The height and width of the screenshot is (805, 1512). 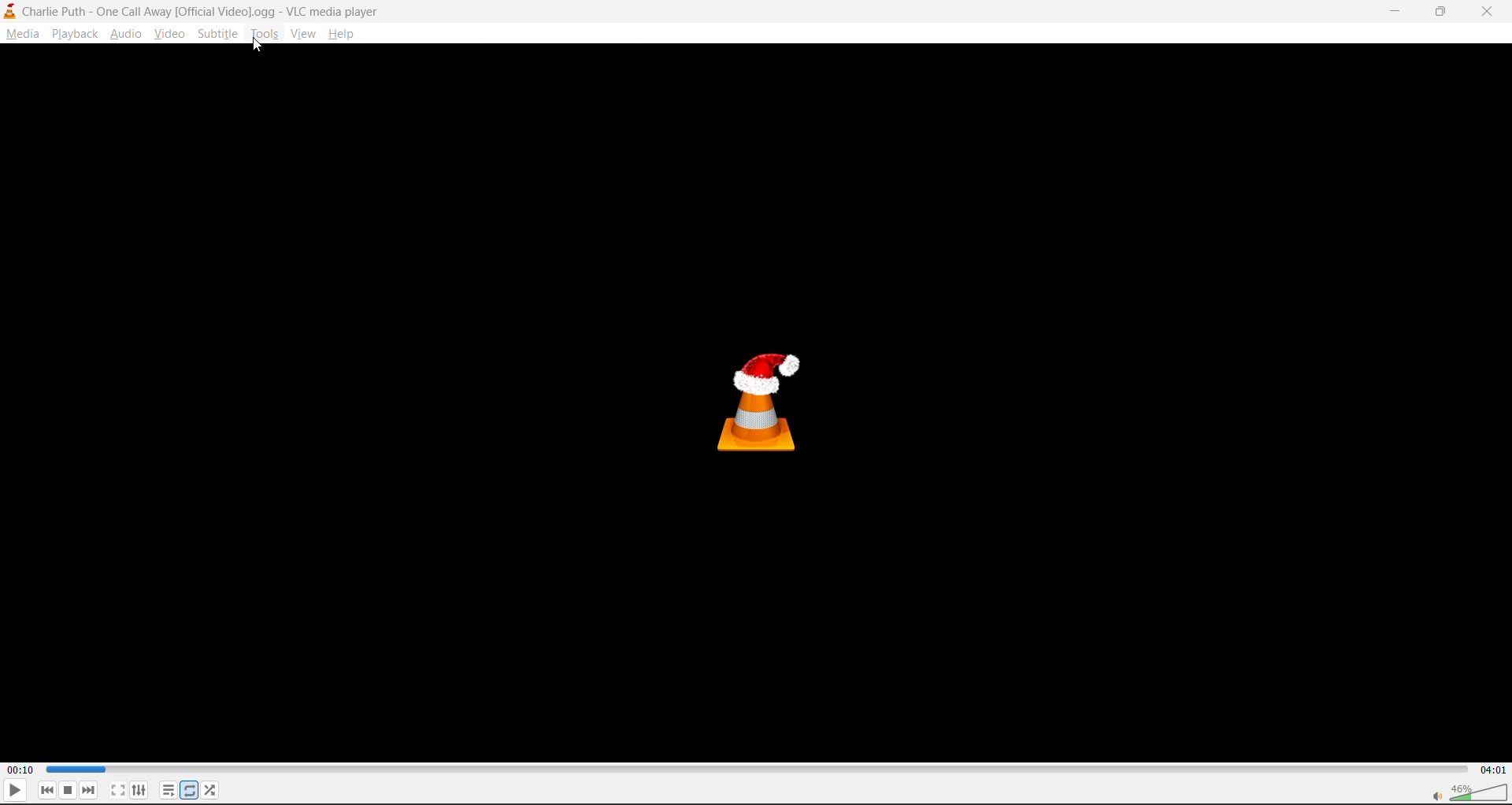 I want to click on minimize, so click(x=1392, y=10).